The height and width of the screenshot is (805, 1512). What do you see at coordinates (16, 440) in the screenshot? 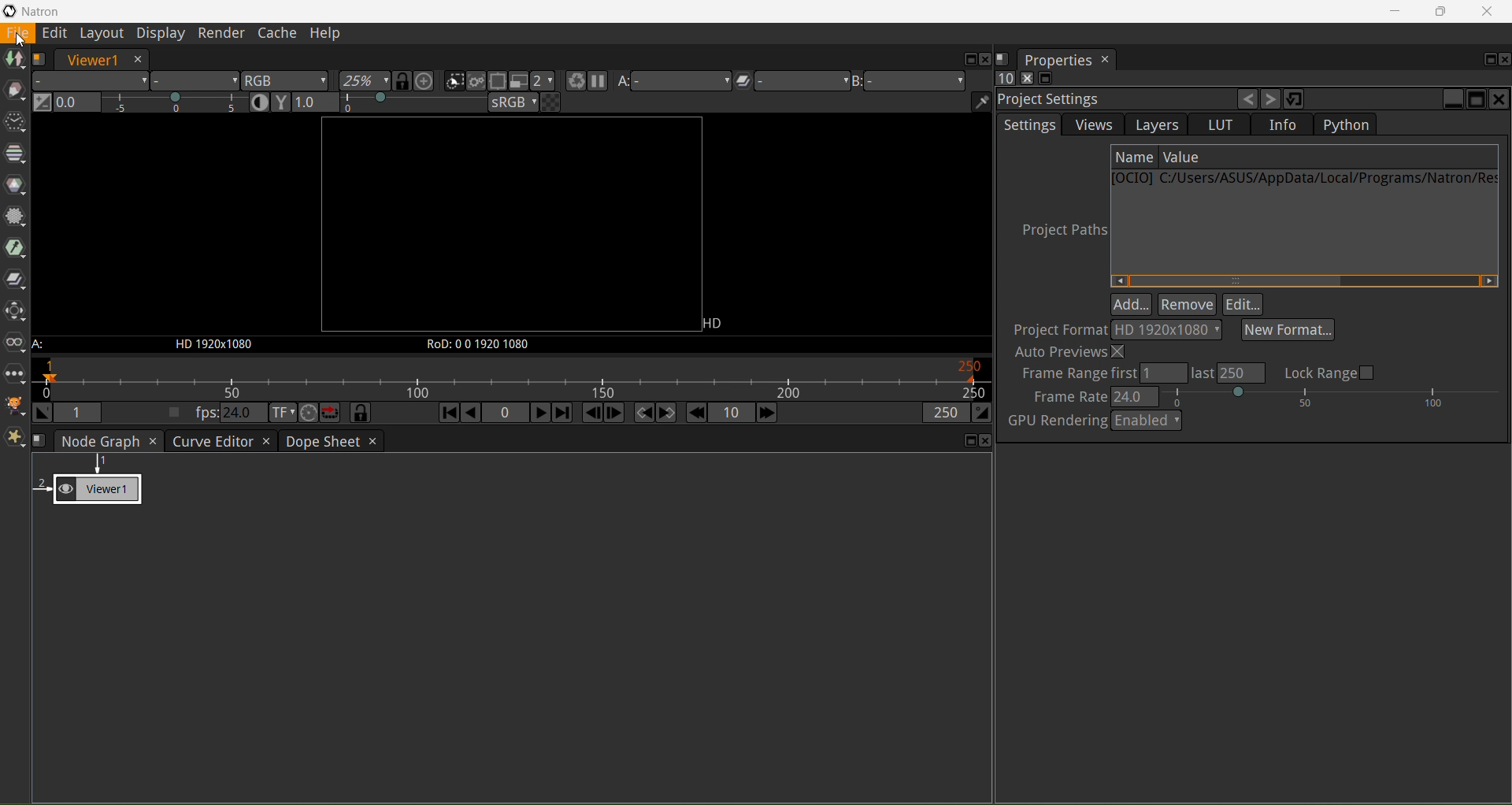
I see `Extra` at bounding box center [16, 440].